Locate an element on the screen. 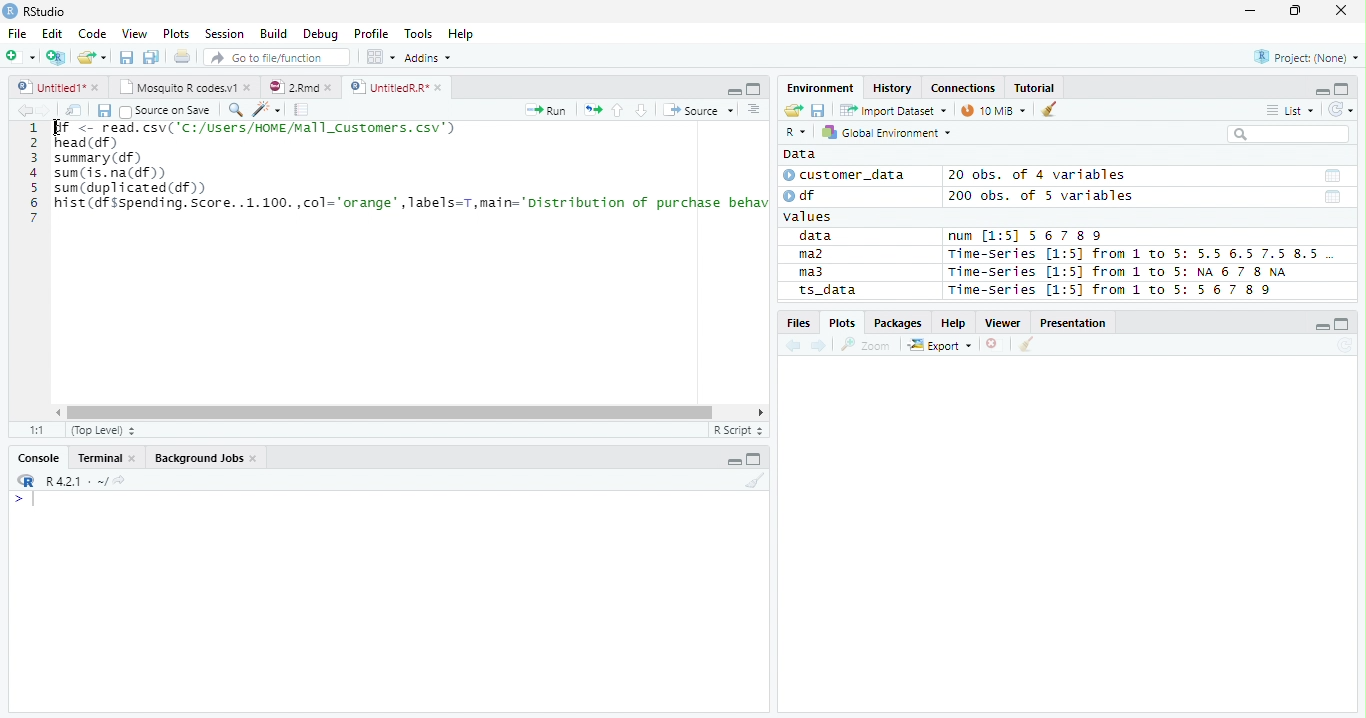  Background jobs is located at coordinates (206, 460).